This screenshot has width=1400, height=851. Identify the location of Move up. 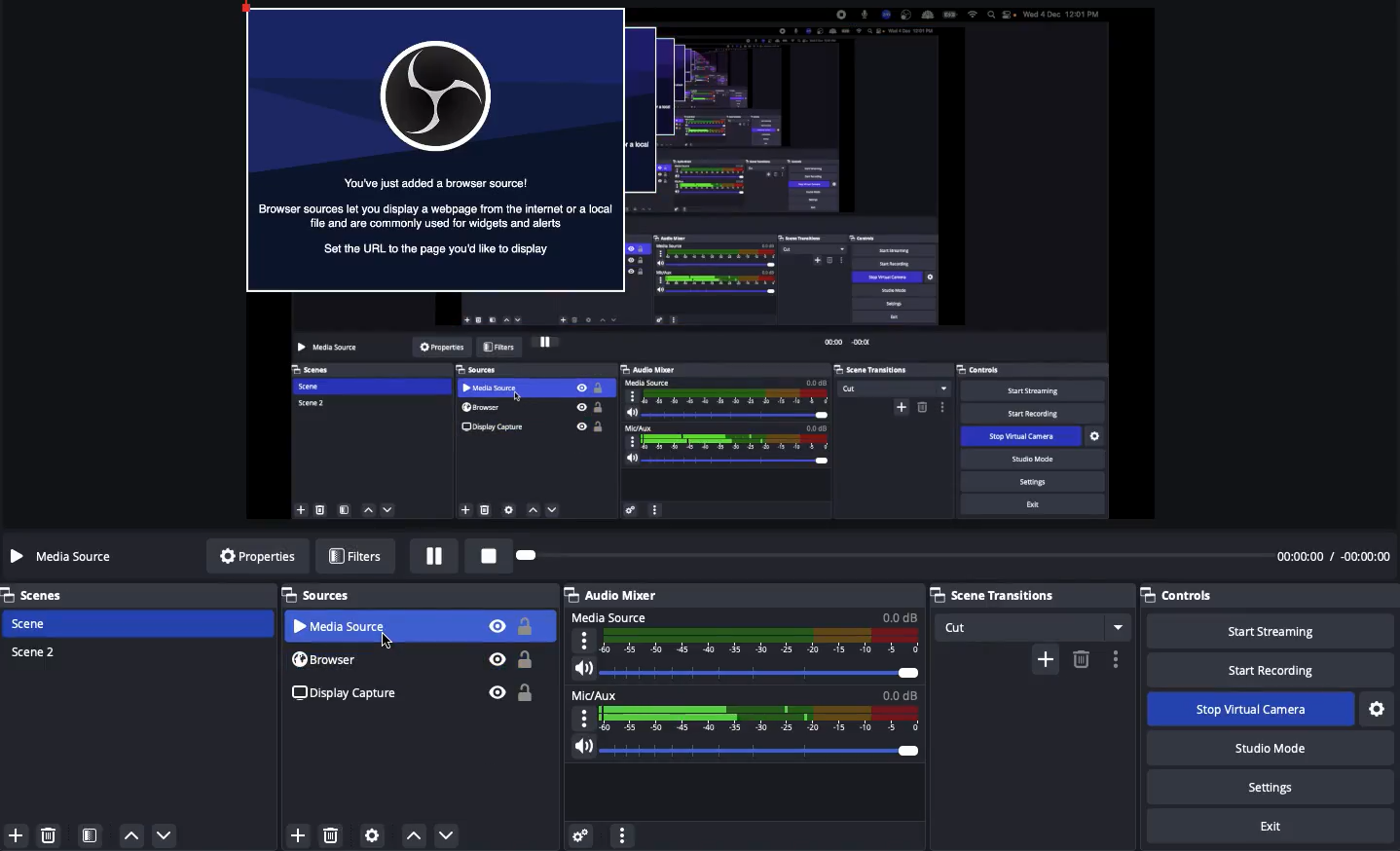
(418, 836).